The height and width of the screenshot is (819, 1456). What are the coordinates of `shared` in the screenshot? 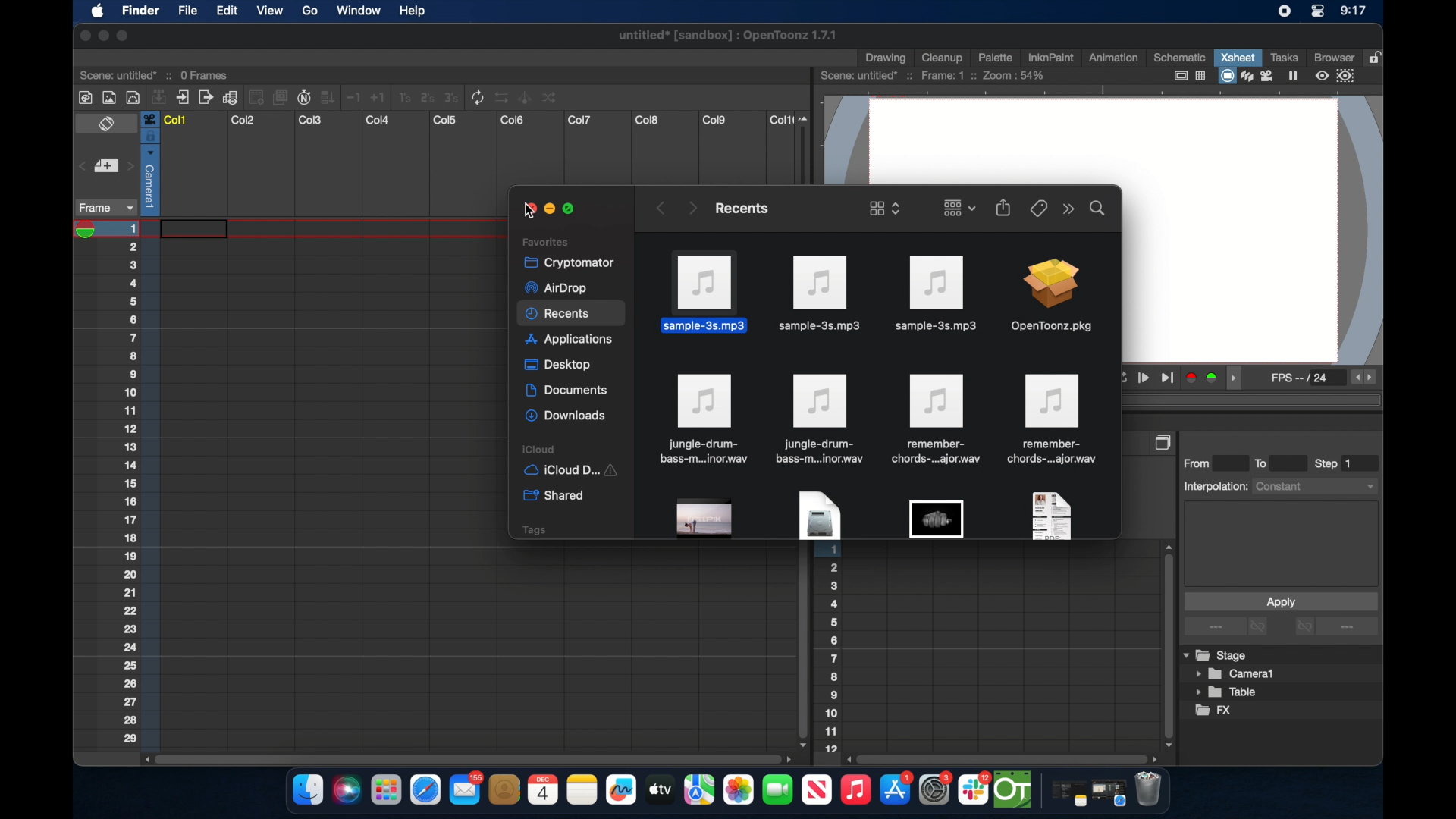 It's located at (556, 496).